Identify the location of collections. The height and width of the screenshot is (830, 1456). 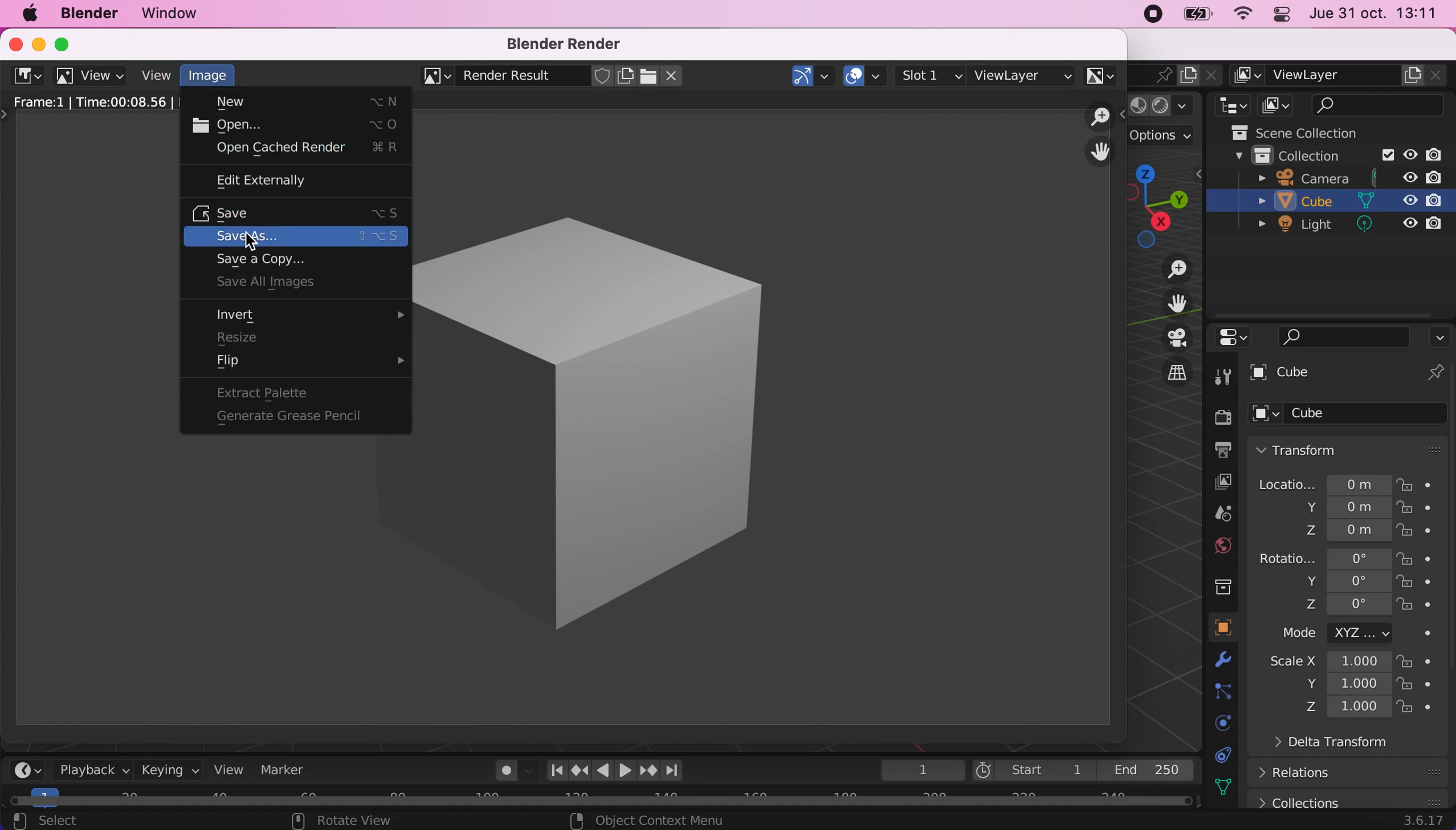
(1348, 798).